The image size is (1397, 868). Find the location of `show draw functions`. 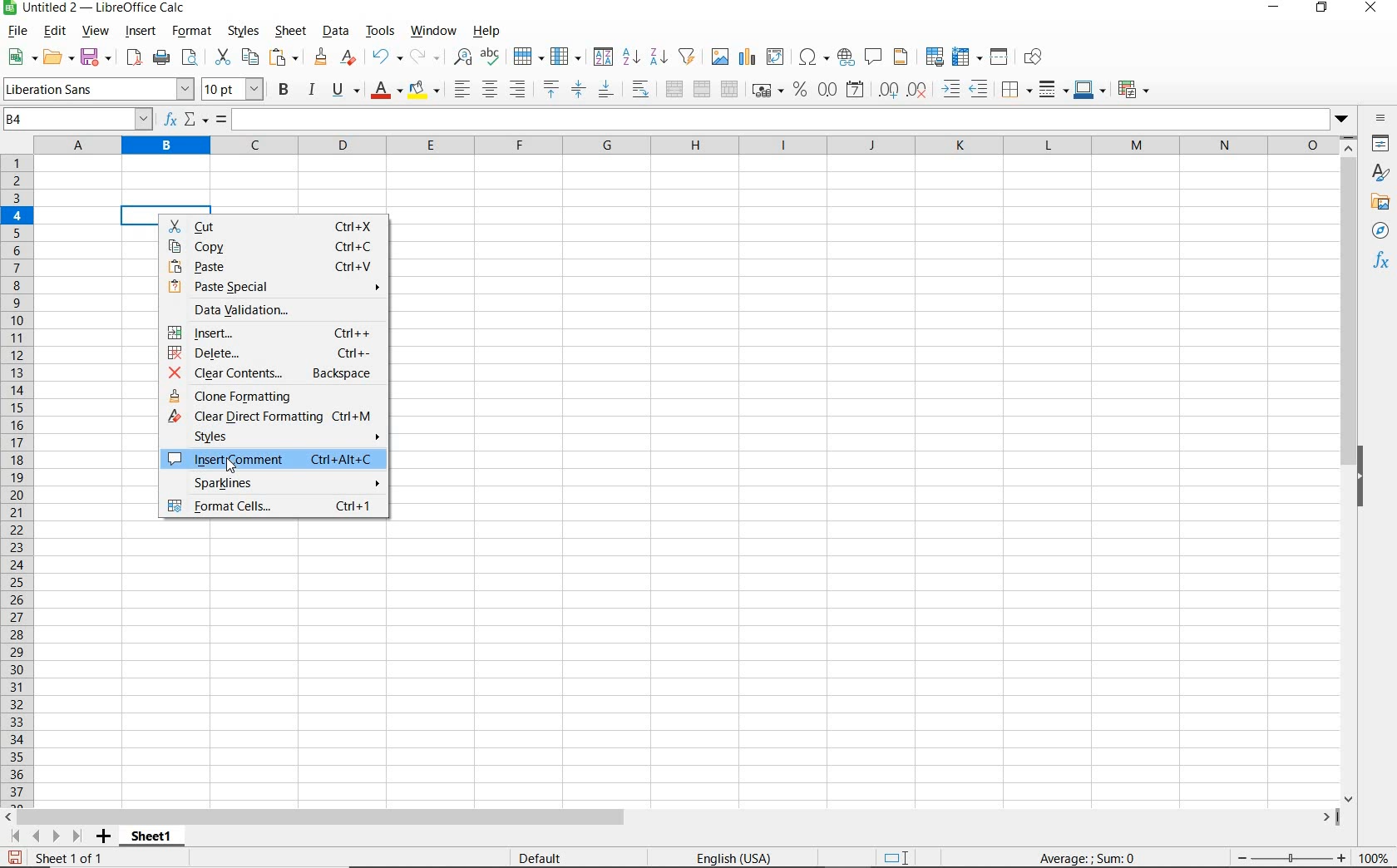

show draw functions is located at coordinates (1036, 58).